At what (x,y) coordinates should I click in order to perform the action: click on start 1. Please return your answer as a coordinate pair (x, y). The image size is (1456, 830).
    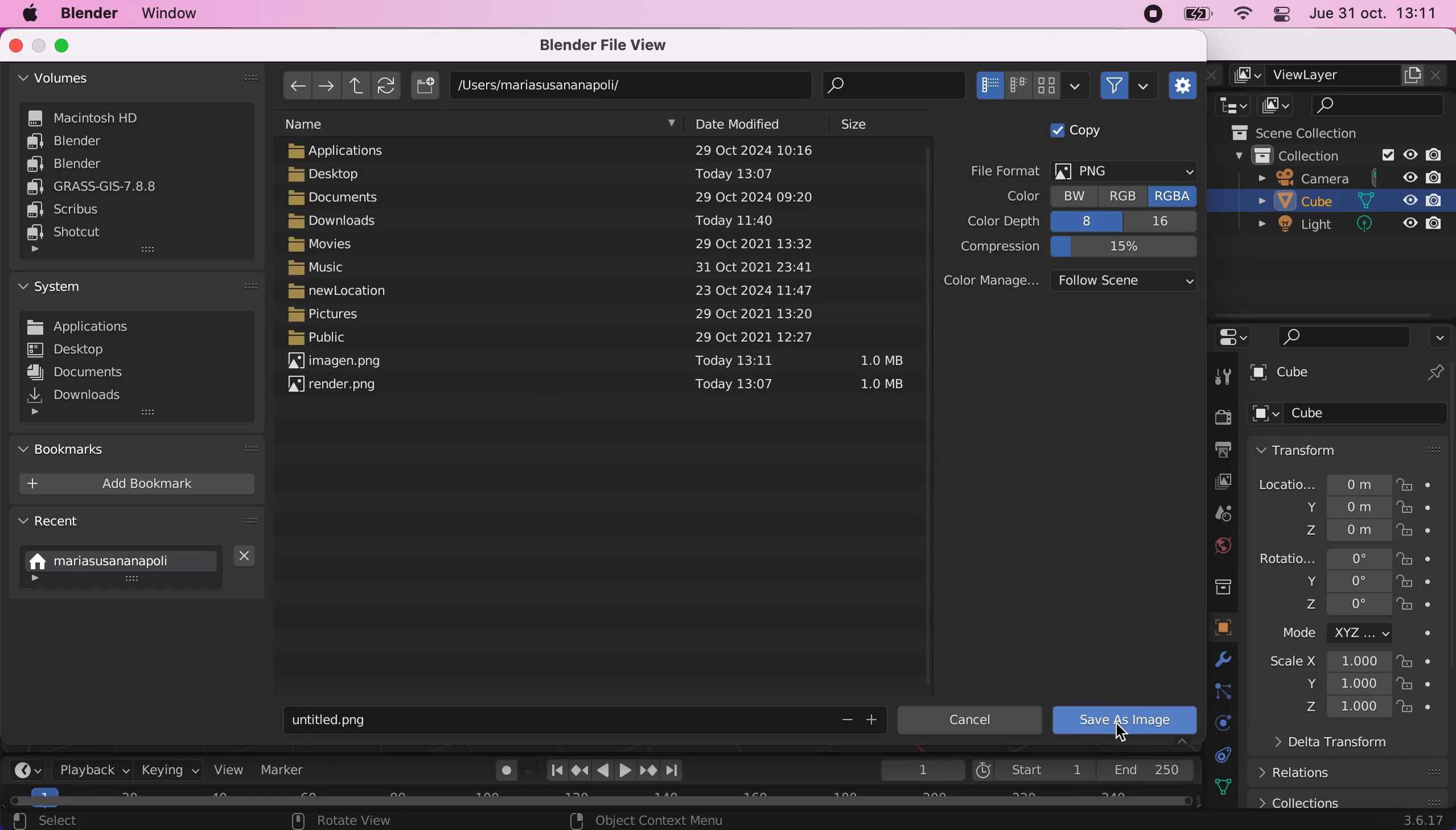
    Looking at the image, I should click on (1033, 770).